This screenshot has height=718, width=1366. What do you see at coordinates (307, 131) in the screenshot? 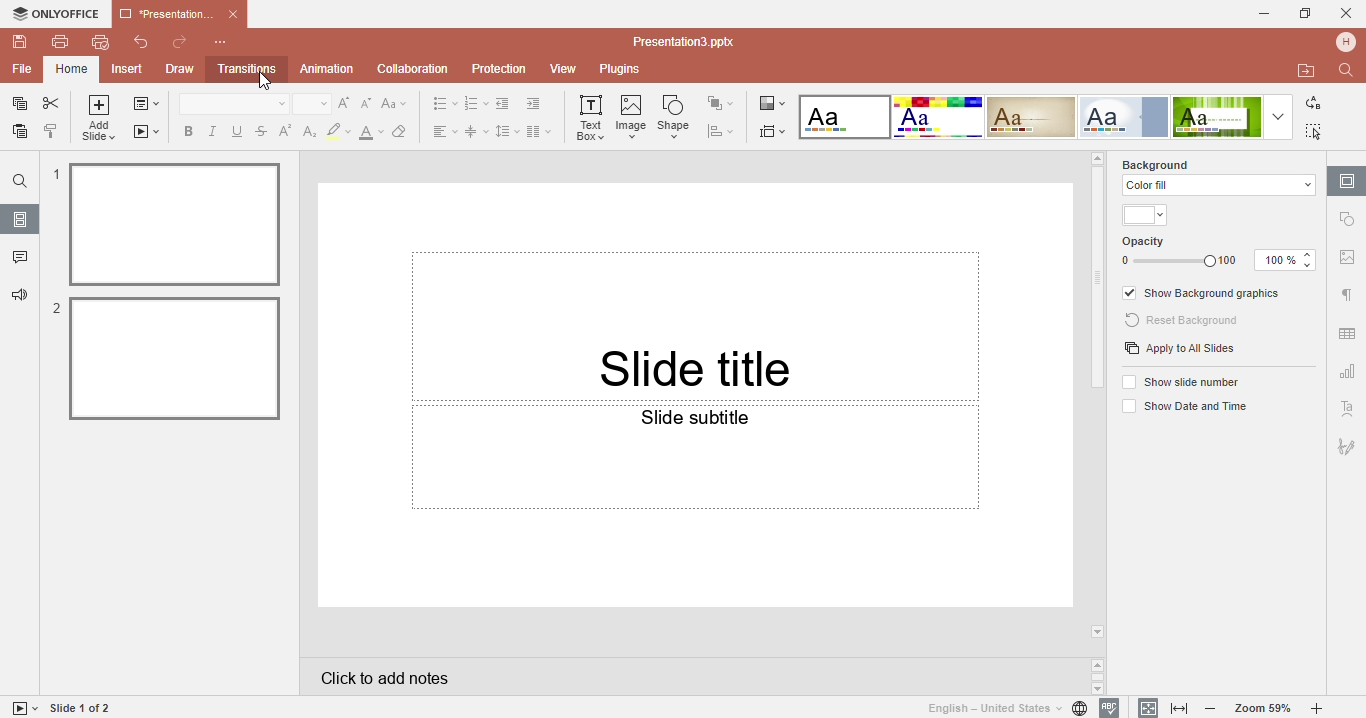
I see `Subscript` at bounding box center [307, 131].